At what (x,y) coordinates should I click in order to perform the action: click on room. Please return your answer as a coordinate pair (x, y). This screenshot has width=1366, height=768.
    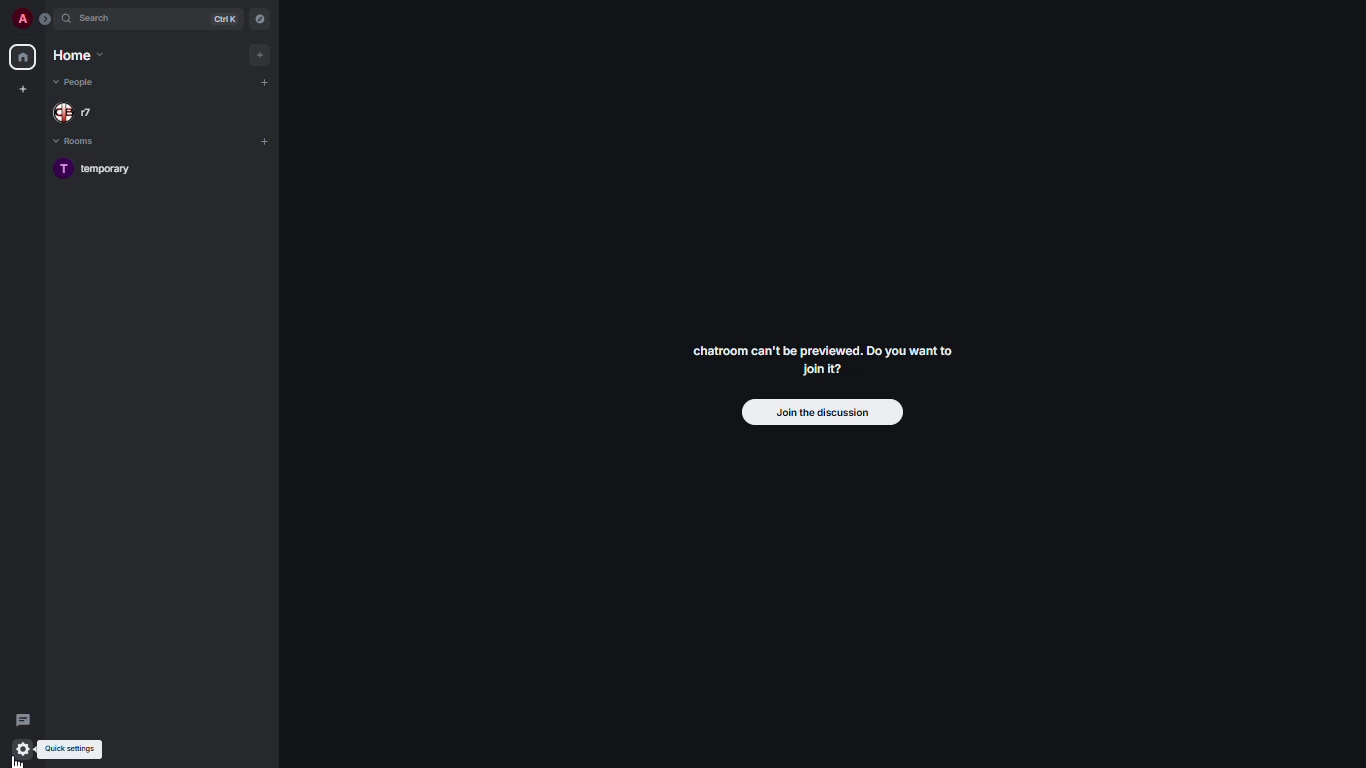
    Looking at the image, I should click on (103, 170).